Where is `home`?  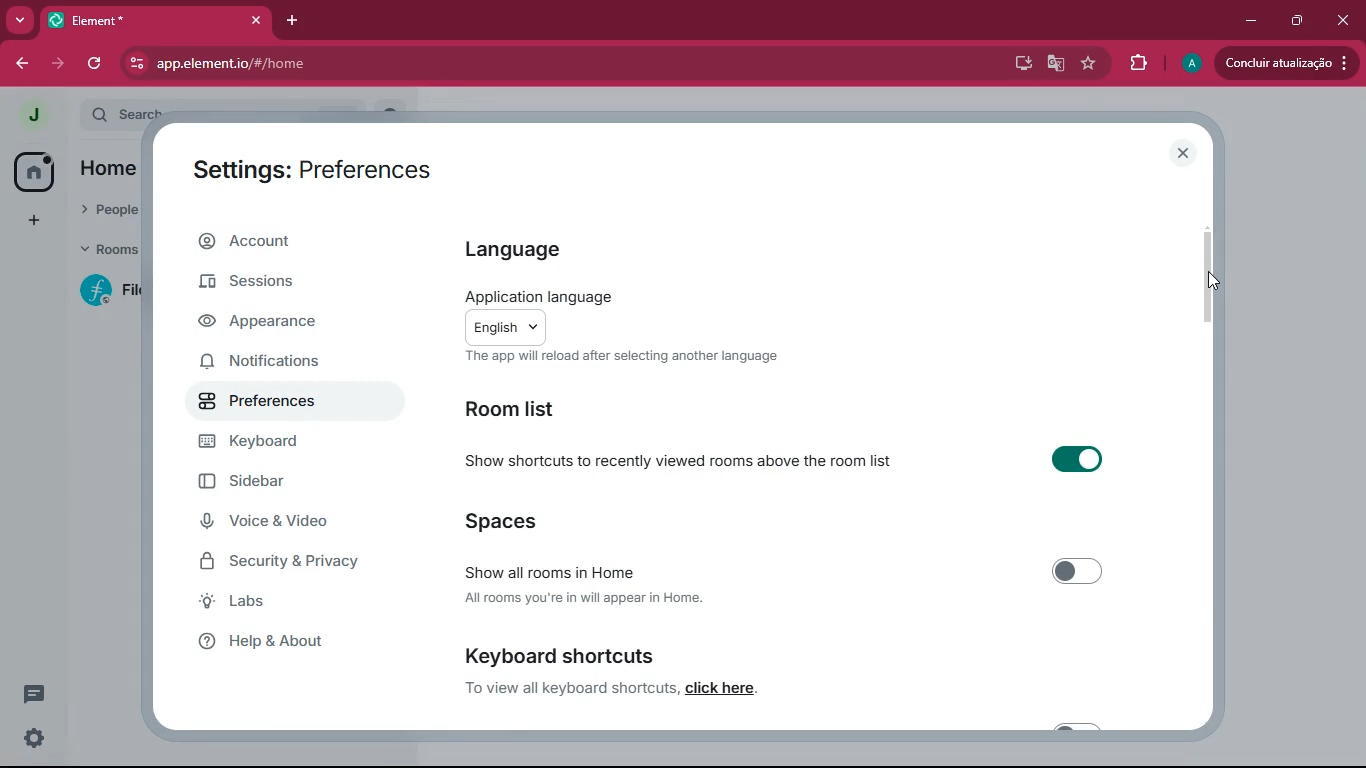
home is located at coordinates (114, 170).